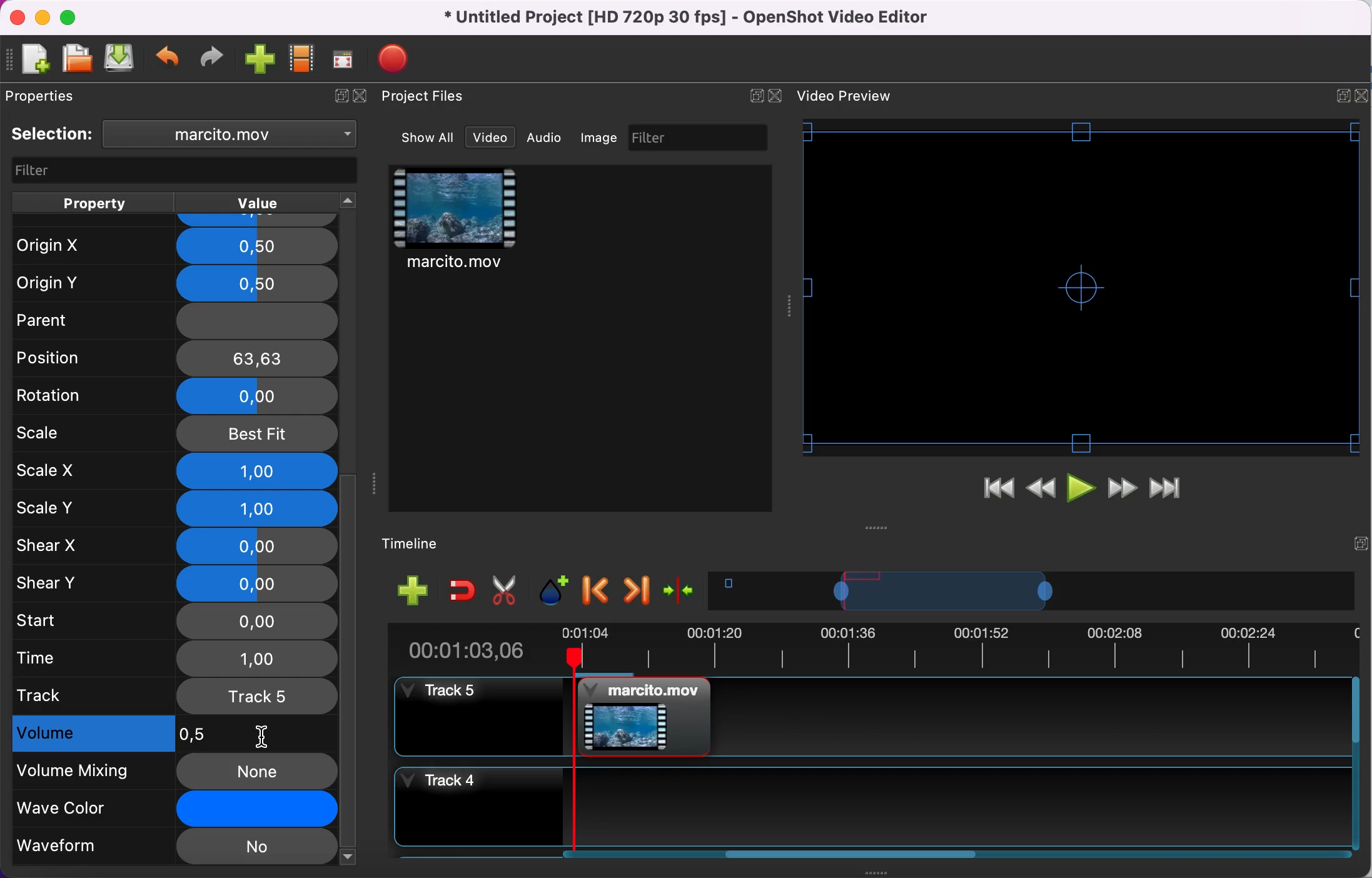 The image size is (1372, 878). I want to click on add track, so click(413, 589).